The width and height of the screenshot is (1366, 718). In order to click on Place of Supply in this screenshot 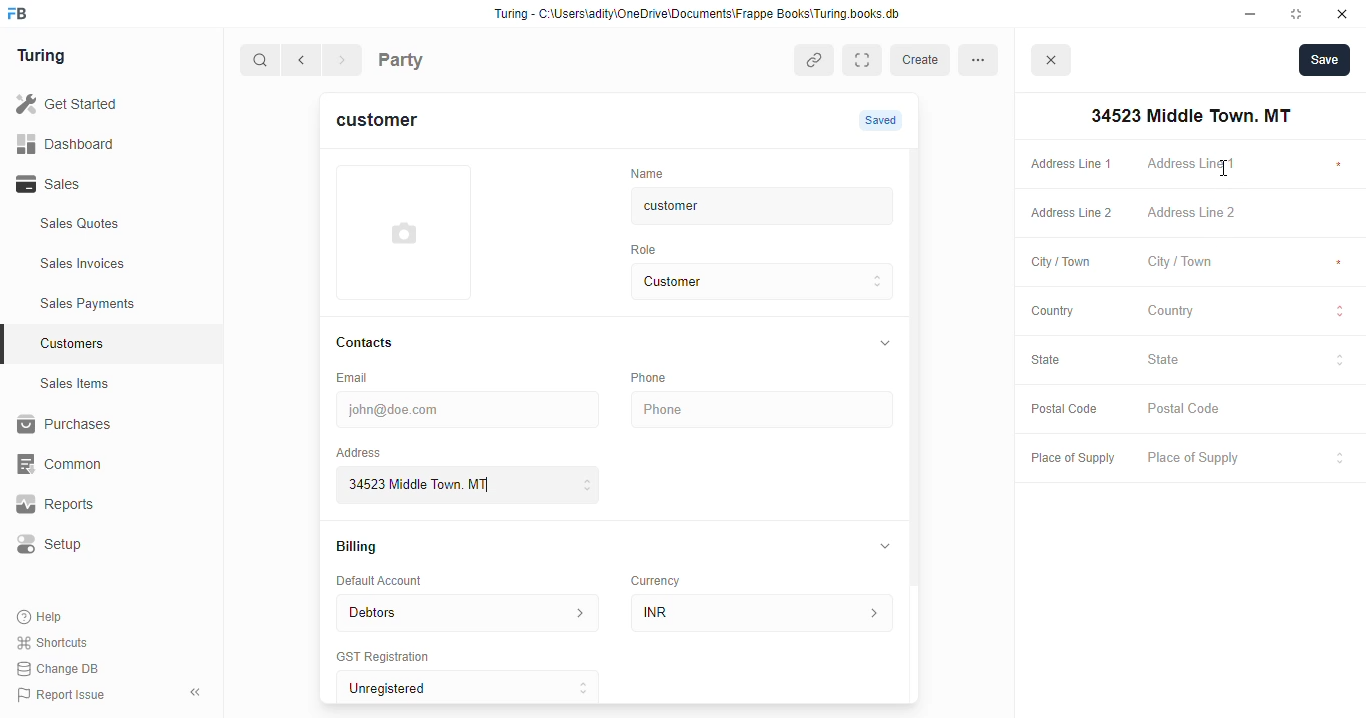, I will do `click(1068, 459)`.